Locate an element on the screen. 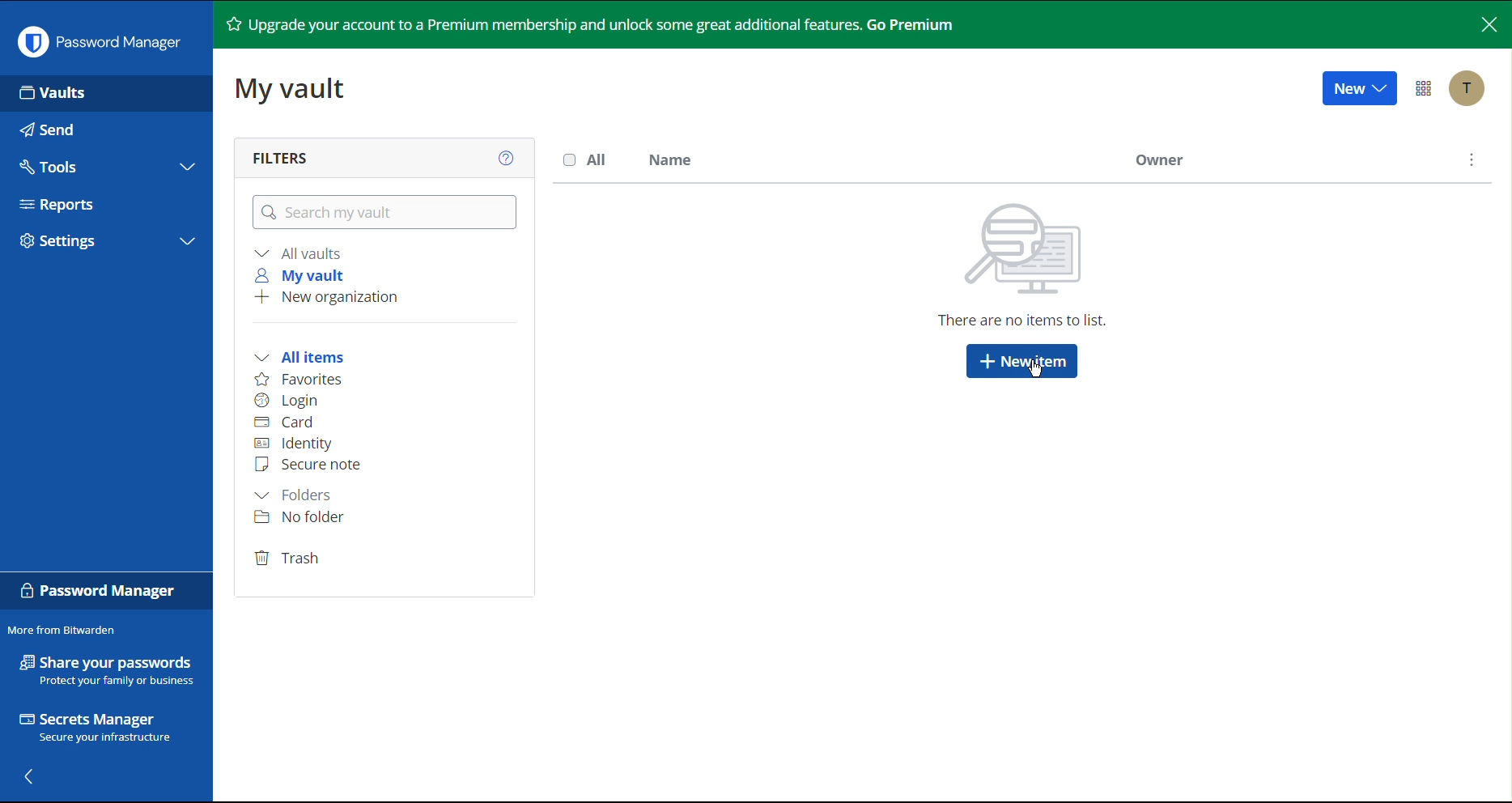 The image size is (1512, 803). All vaults is located at coordinates (301, 253).